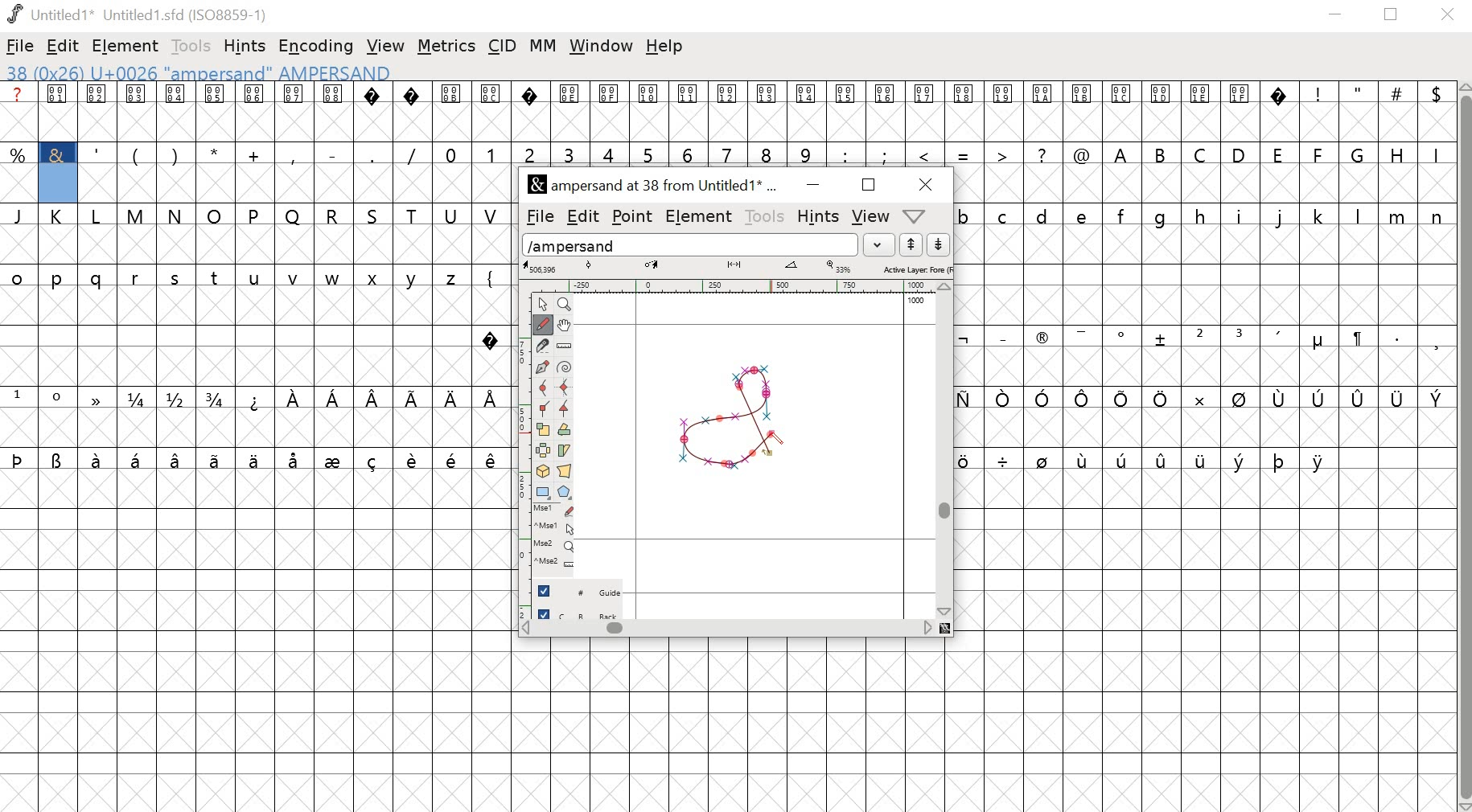 Image resolution: width=1472 pixels, height=812 pixels. Describe the element at coordinates (1043, 397) in the screenshot. I see `symbol` at that location.